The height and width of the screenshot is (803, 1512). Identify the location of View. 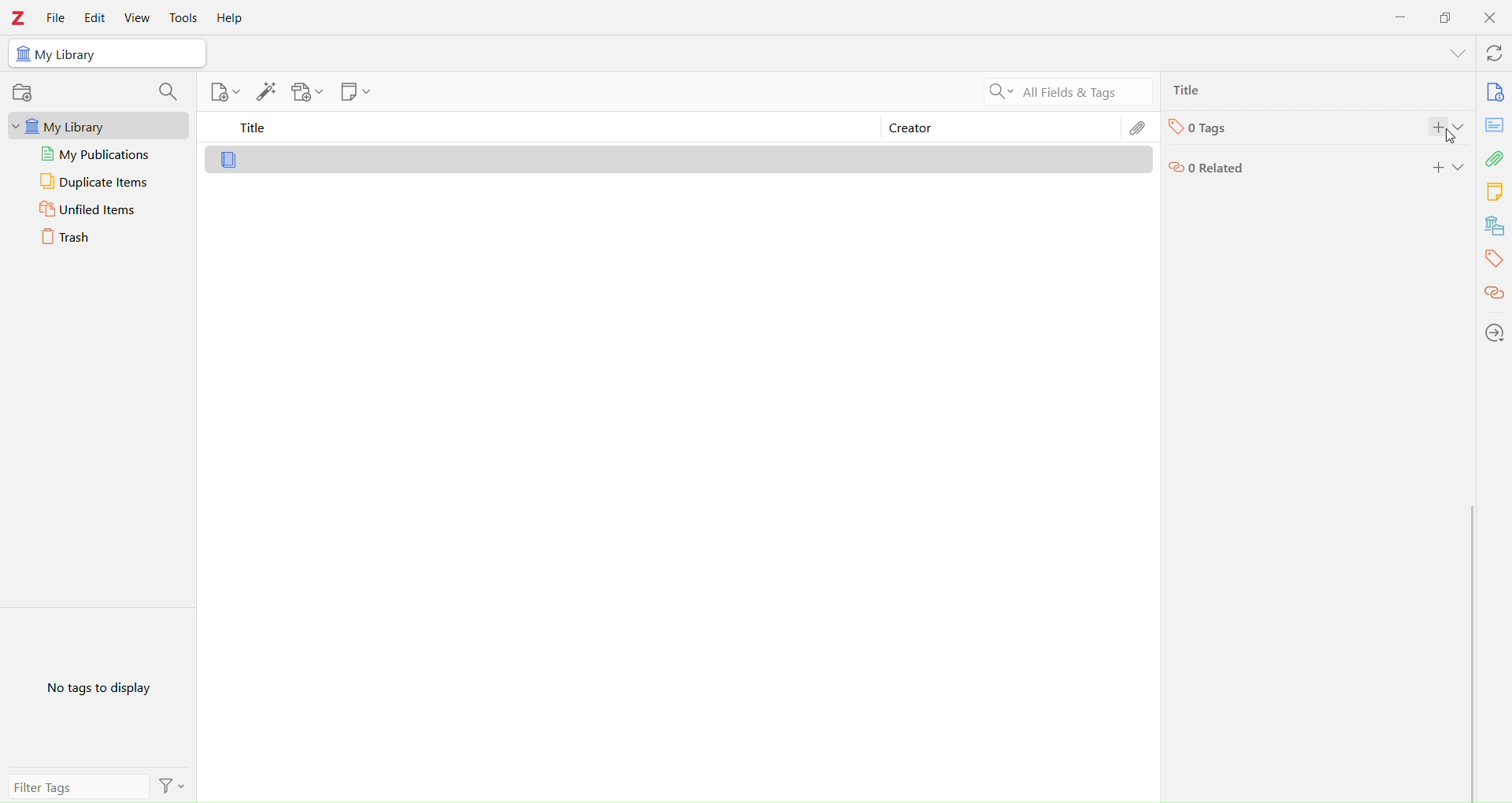
(140, 18).